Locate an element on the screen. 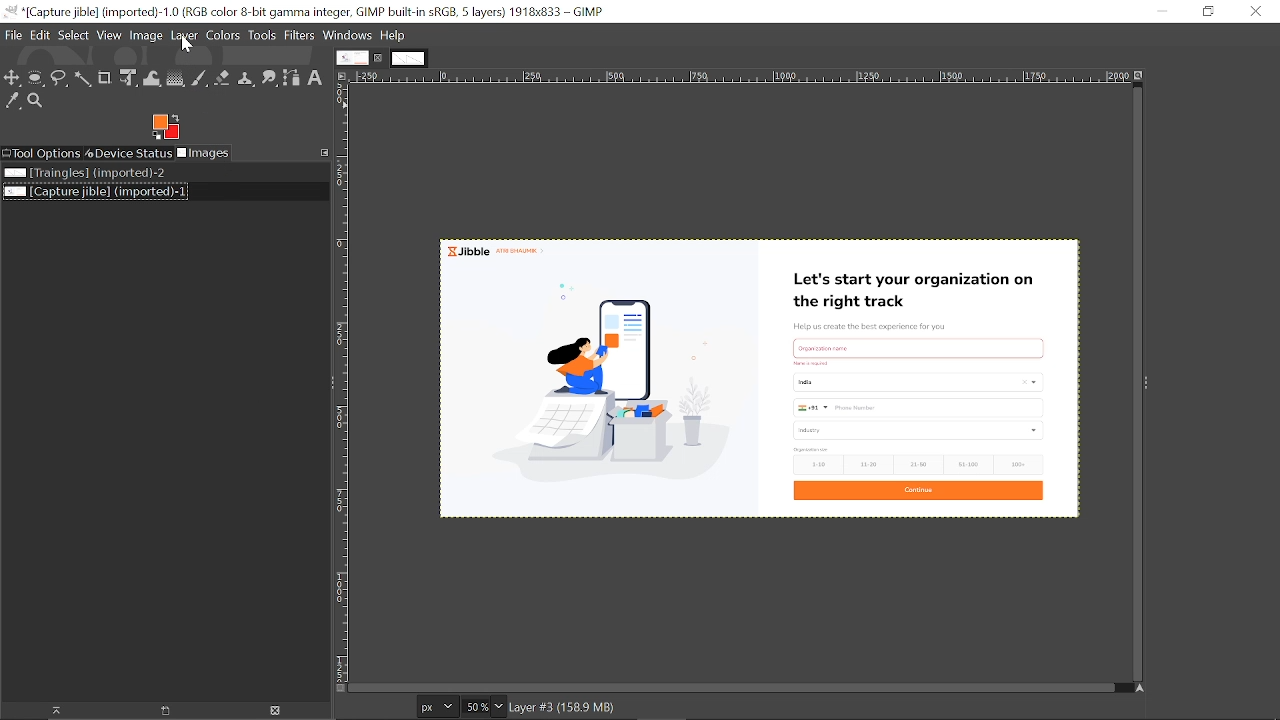 This screenshot has height=720, width=1280. Foreground tool is located at coordinates (167, 127).